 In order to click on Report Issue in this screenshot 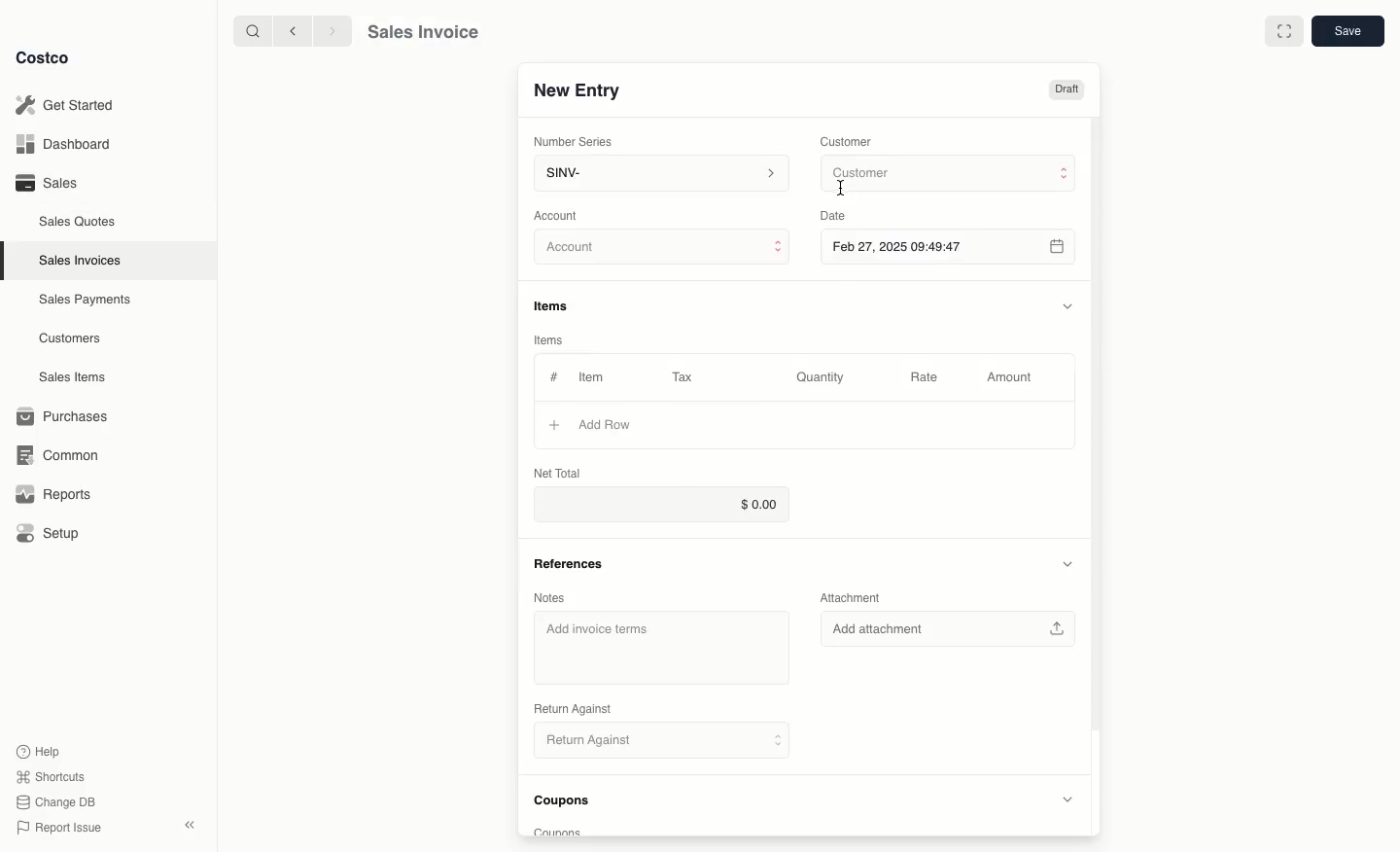, I will do `click(59, 828)`.